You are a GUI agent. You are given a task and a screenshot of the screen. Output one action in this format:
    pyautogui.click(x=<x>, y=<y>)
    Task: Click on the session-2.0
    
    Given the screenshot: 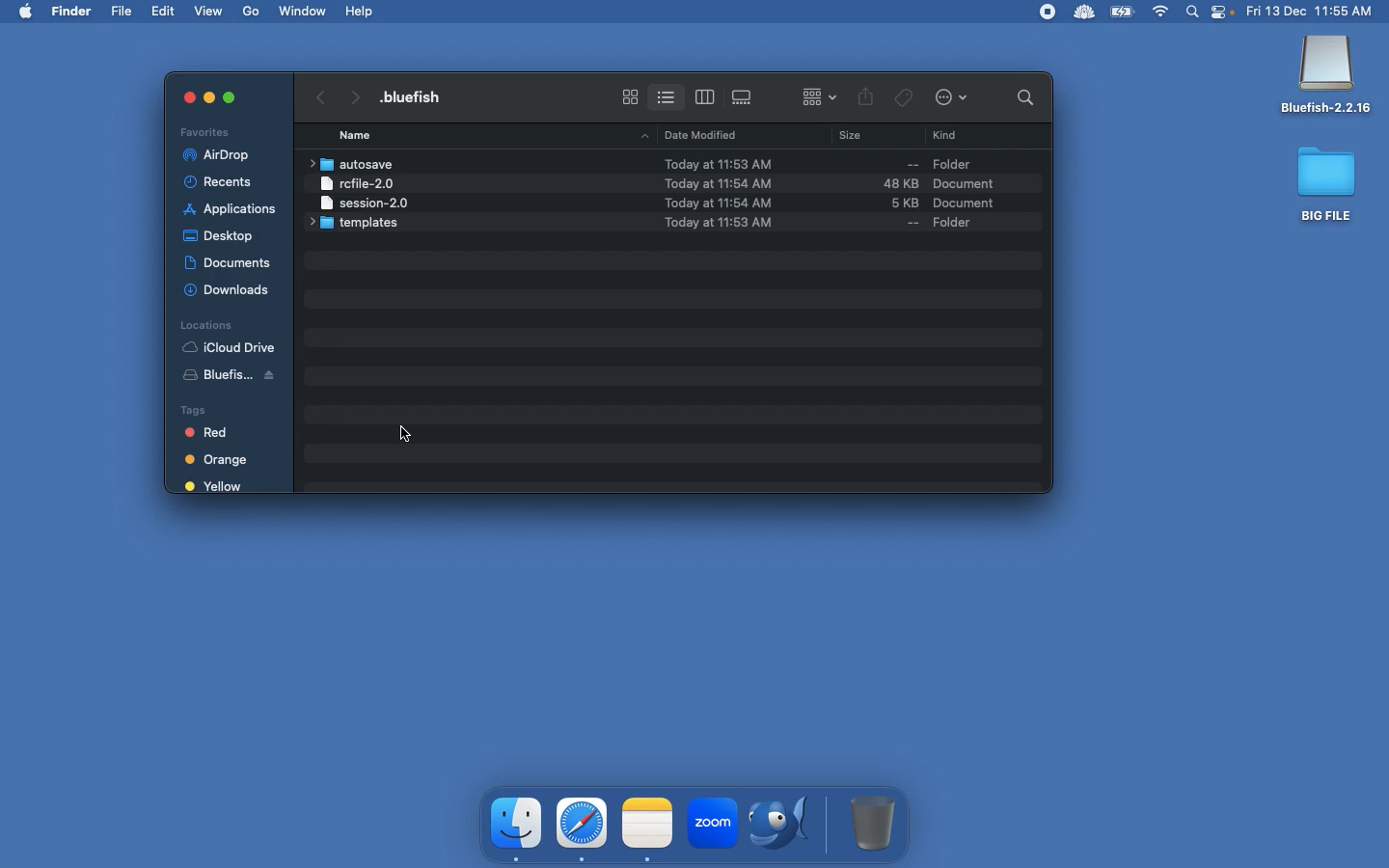 What is the action you would take?
    pyautogui.click(x=361, y=202)
    